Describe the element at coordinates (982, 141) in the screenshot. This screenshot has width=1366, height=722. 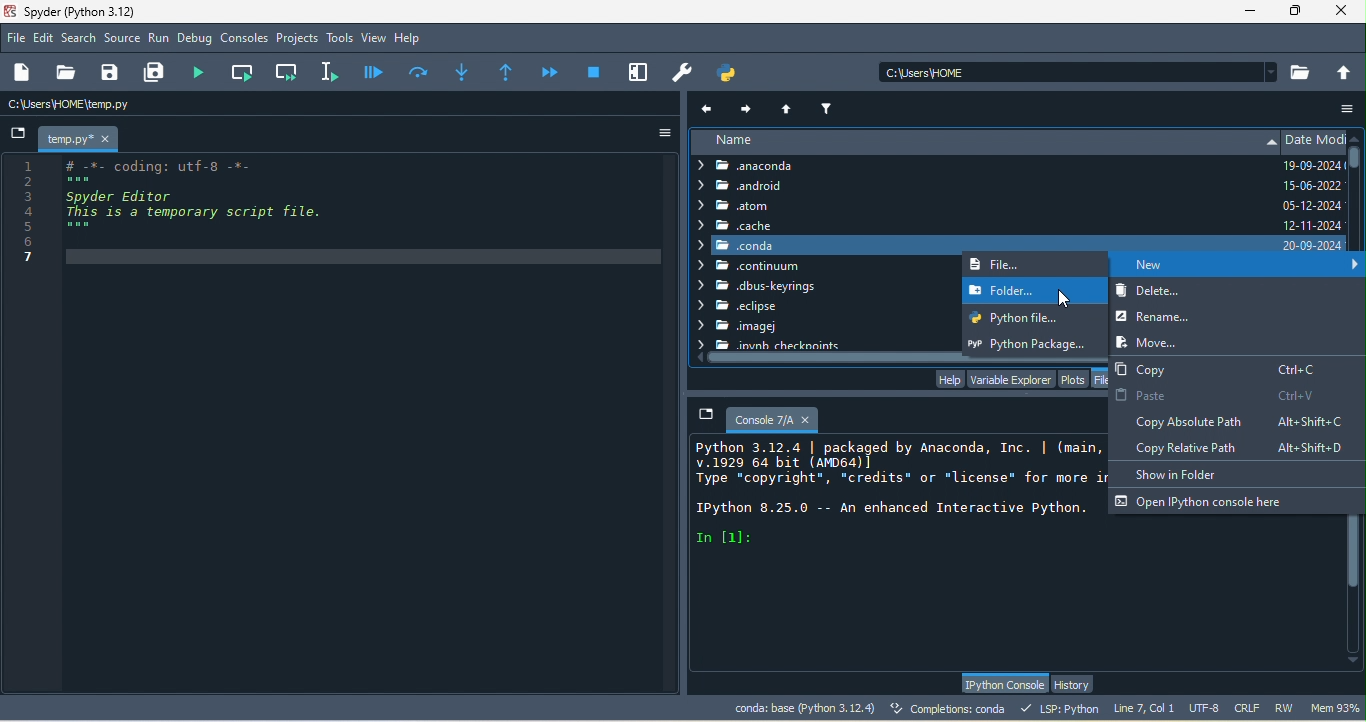
I see `name` at that location.